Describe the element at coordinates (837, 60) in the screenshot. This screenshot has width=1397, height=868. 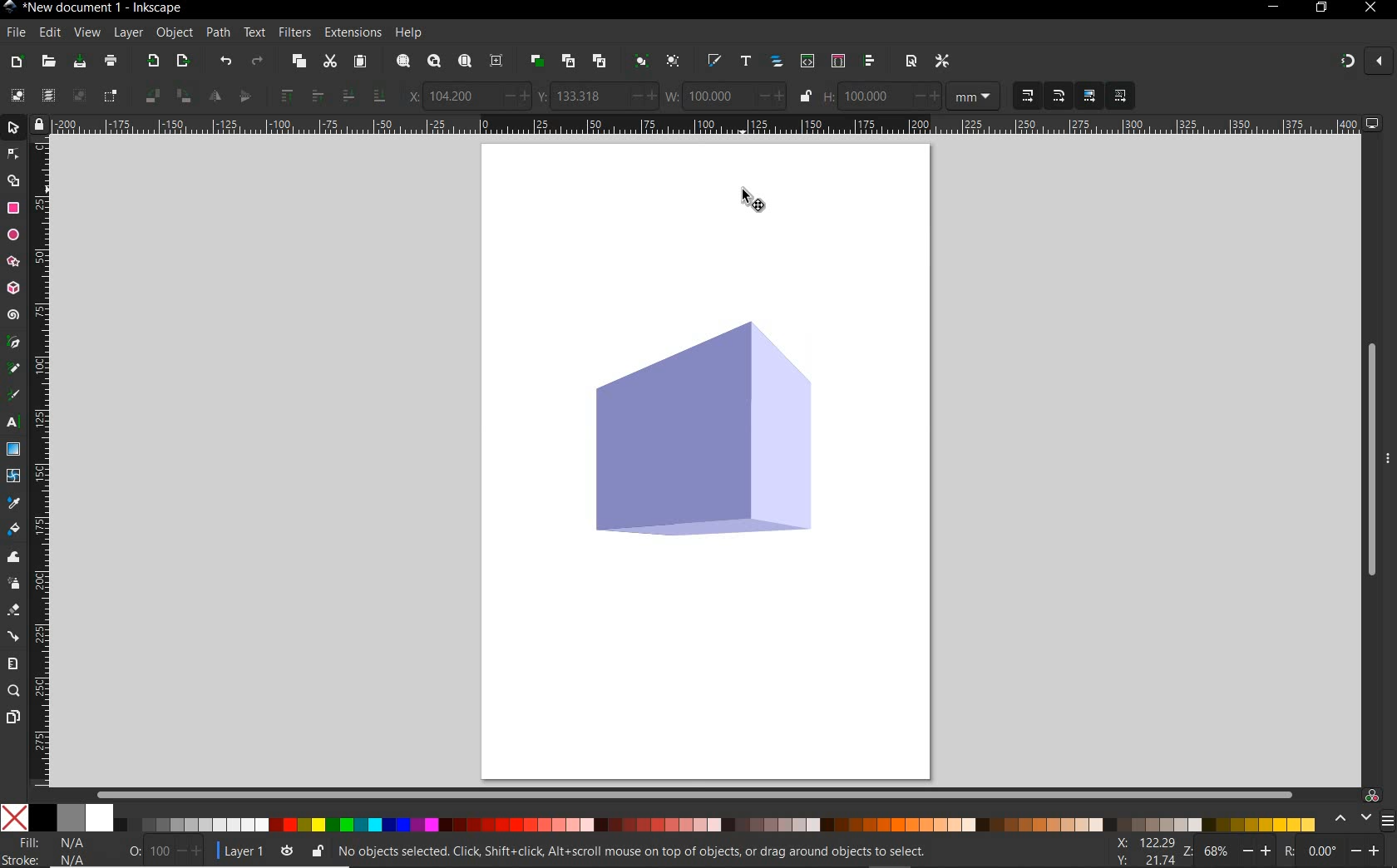
I see `open selectors` at that location.